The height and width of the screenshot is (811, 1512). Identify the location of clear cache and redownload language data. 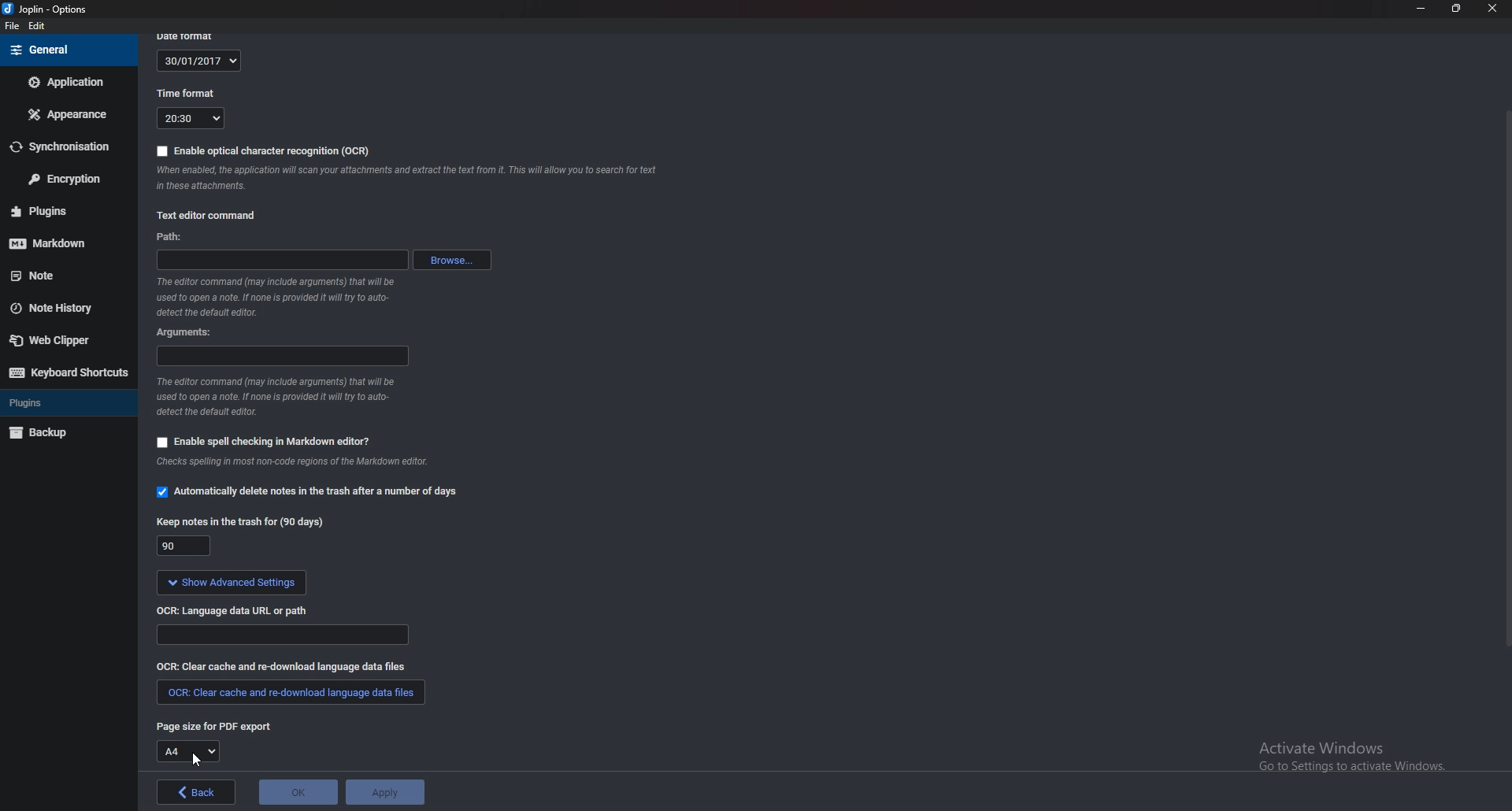
(292, 691).